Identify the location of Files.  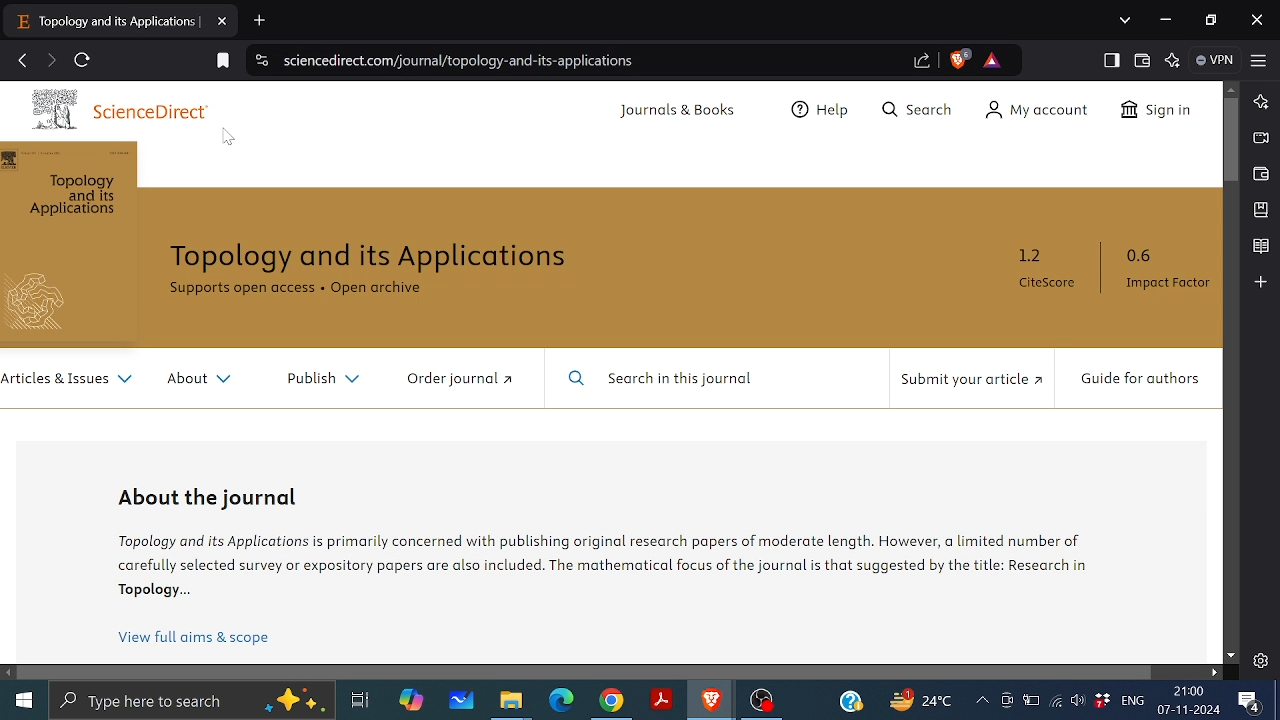
(511, 703).